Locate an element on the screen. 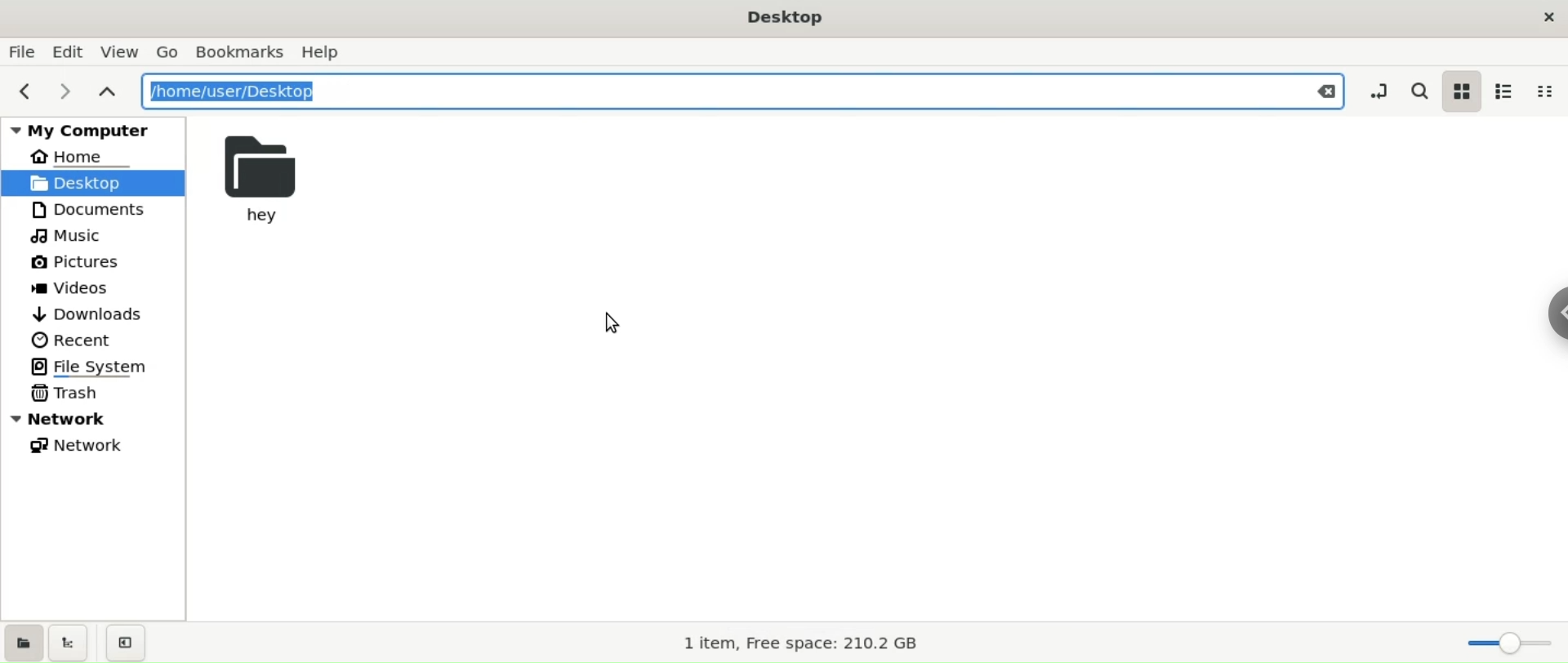  pictures is located at coordinates (78, 263).